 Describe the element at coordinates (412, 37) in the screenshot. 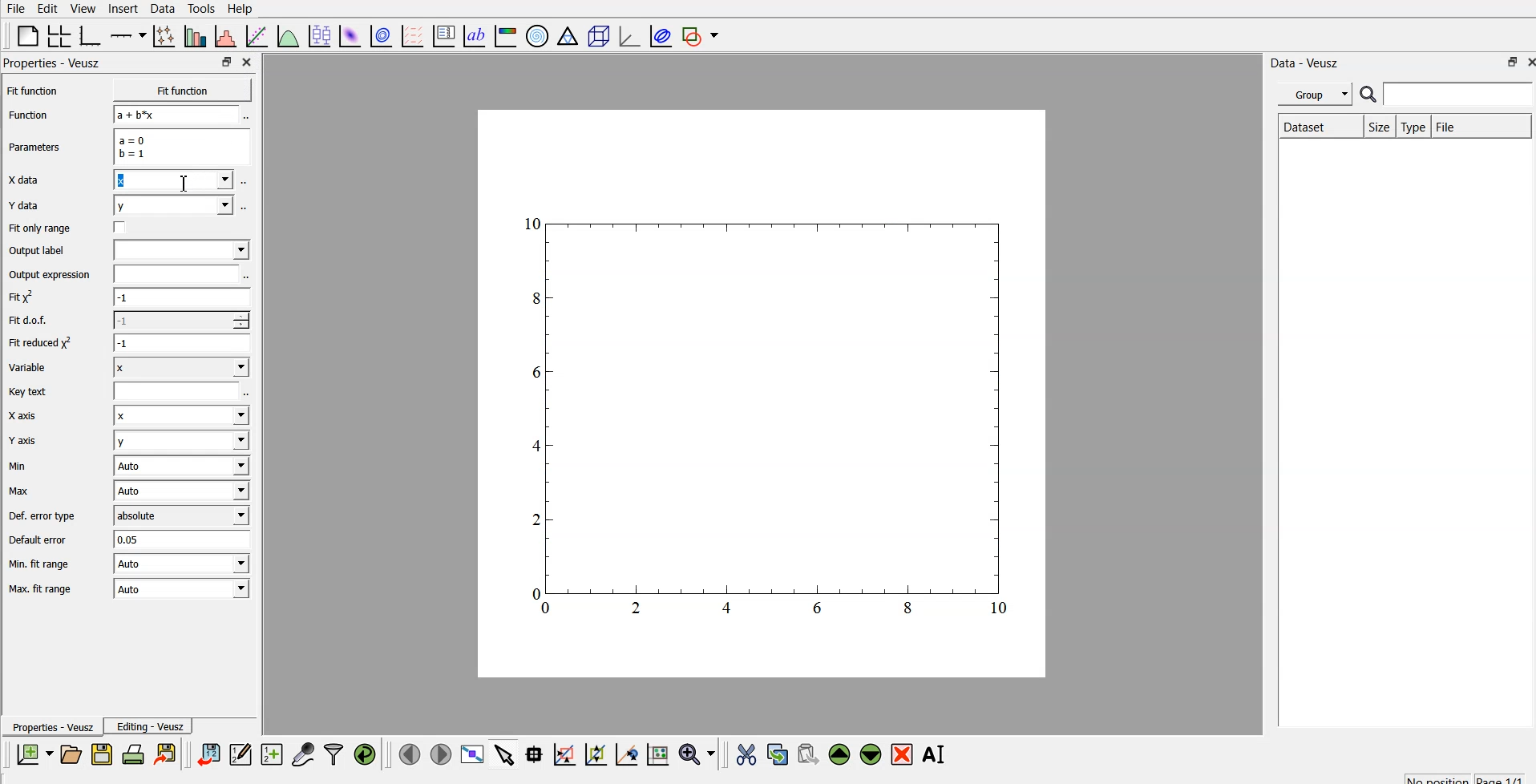

I see `plot a vector field` at that location.